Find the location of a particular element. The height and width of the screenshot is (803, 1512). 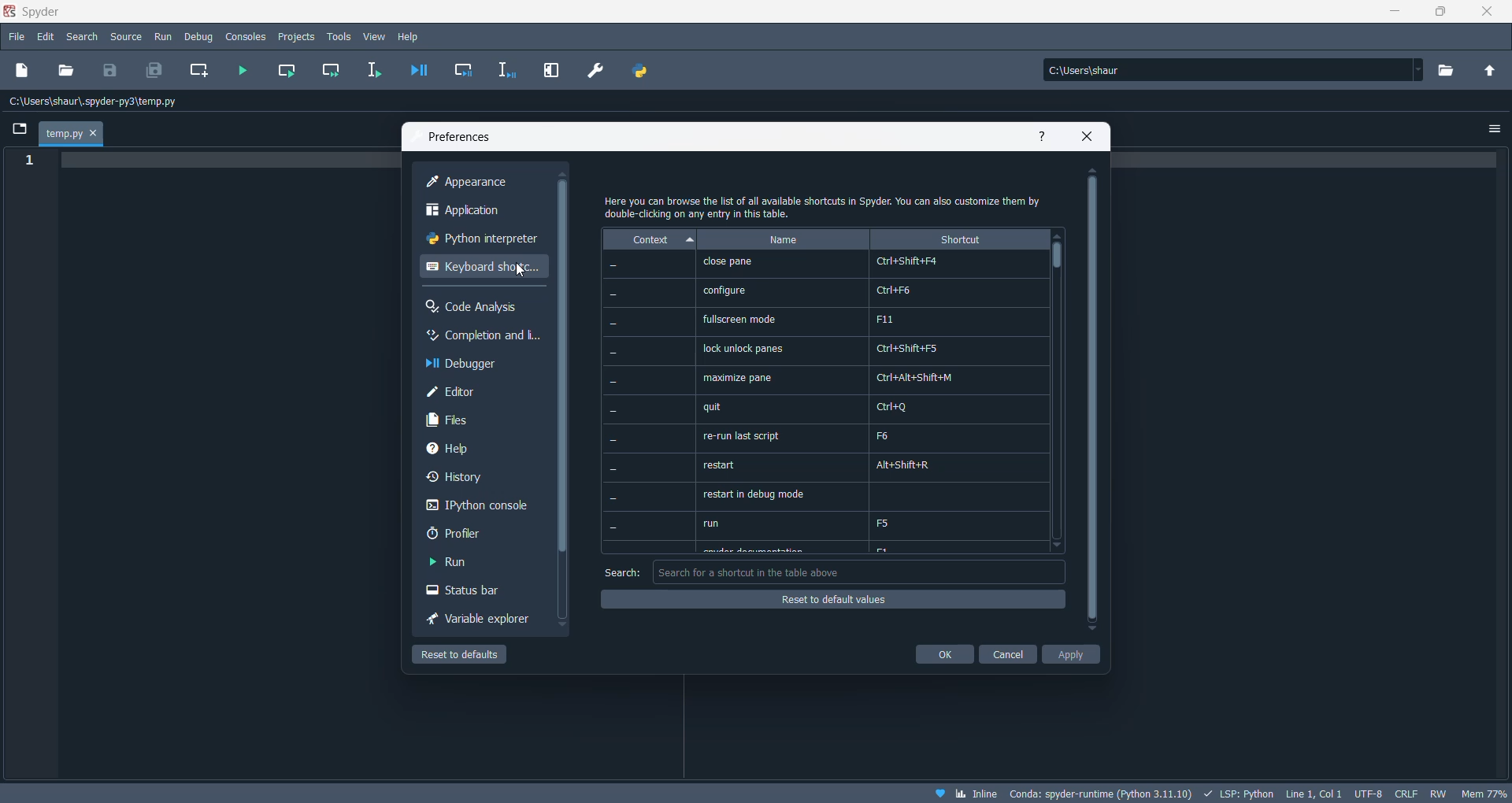

scrollbar is located at coordinates (1059, 262).